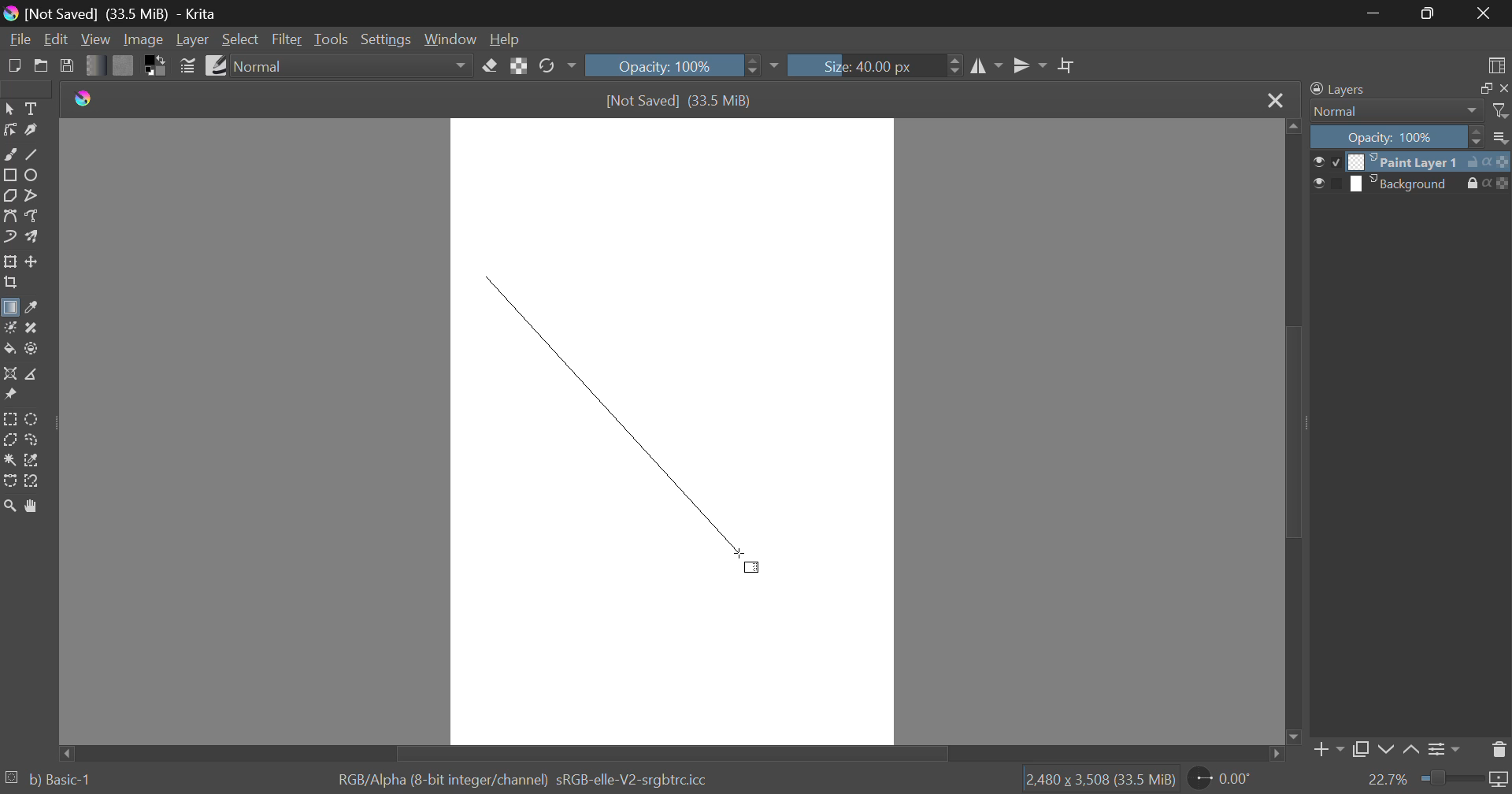 The height and width of the screenshot is (794, 1512). What do you see at coordinates (876, 64) in the screenshot?
I see `Size: 40.00 px` at bounding box center [876, 64].